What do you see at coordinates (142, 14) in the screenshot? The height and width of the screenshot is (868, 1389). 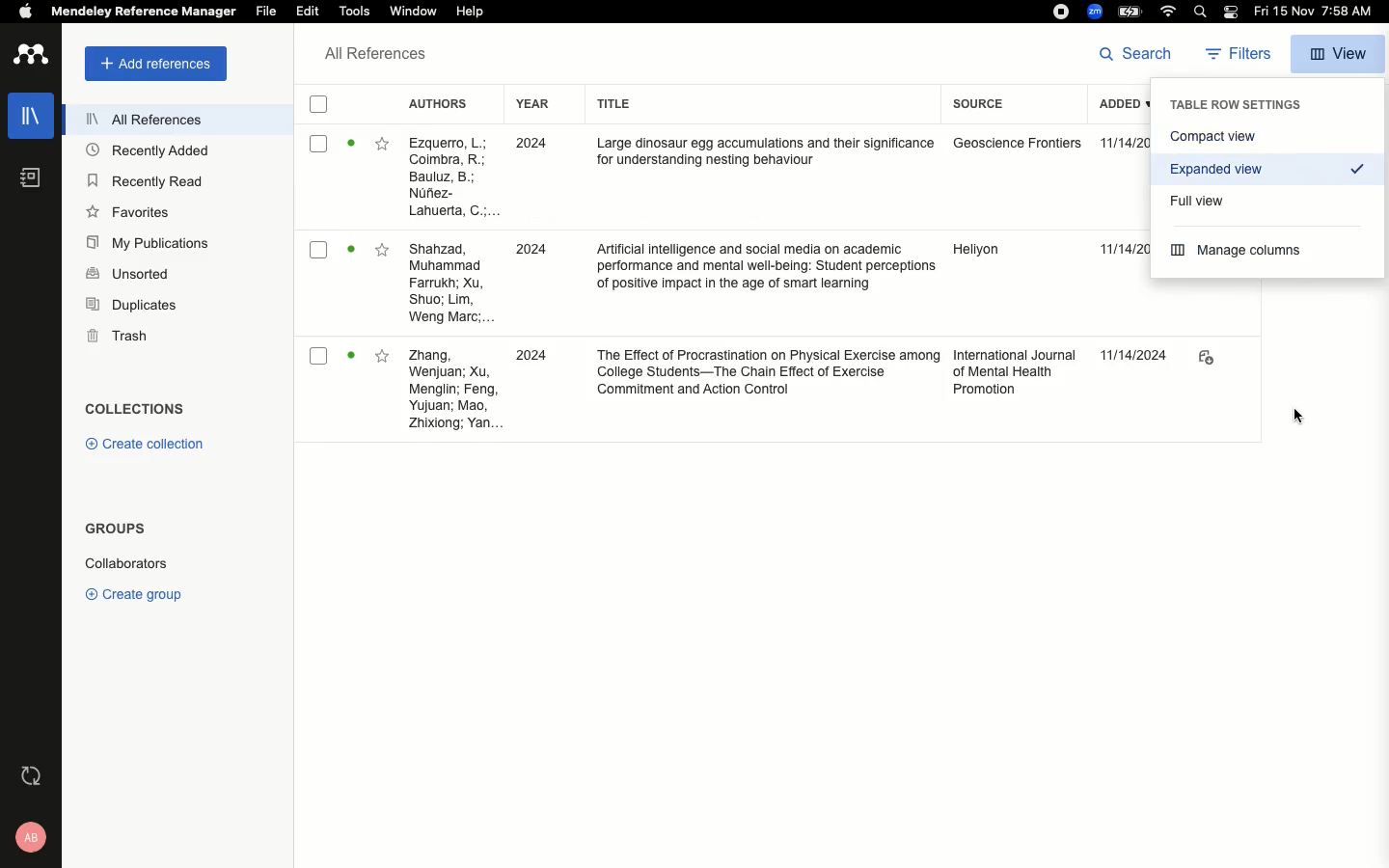 I see `Mendeley` at bounding box center [142, 14].